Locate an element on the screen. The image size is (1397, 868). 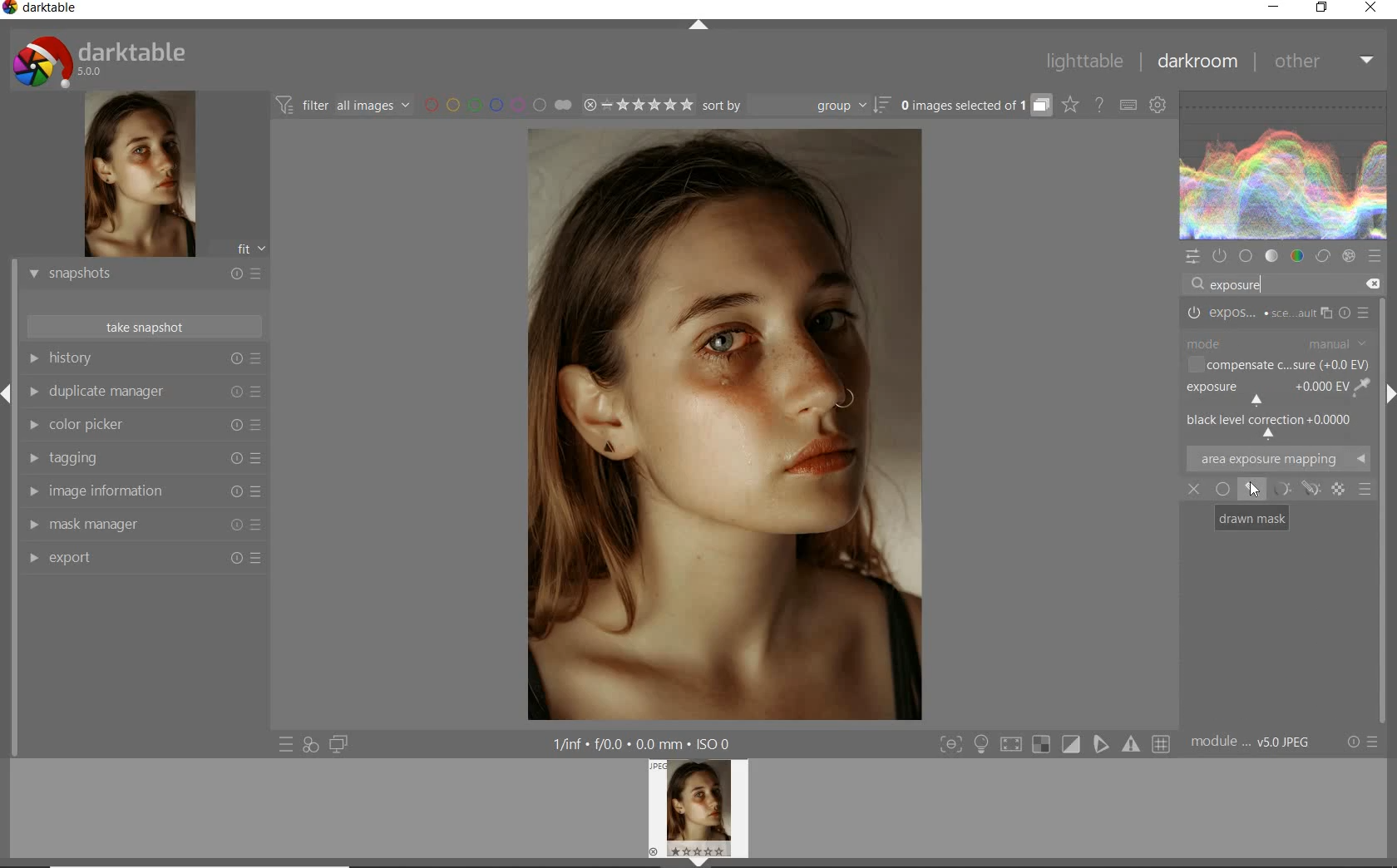
display a second darkroom image below is located at coordinates (335, 742).